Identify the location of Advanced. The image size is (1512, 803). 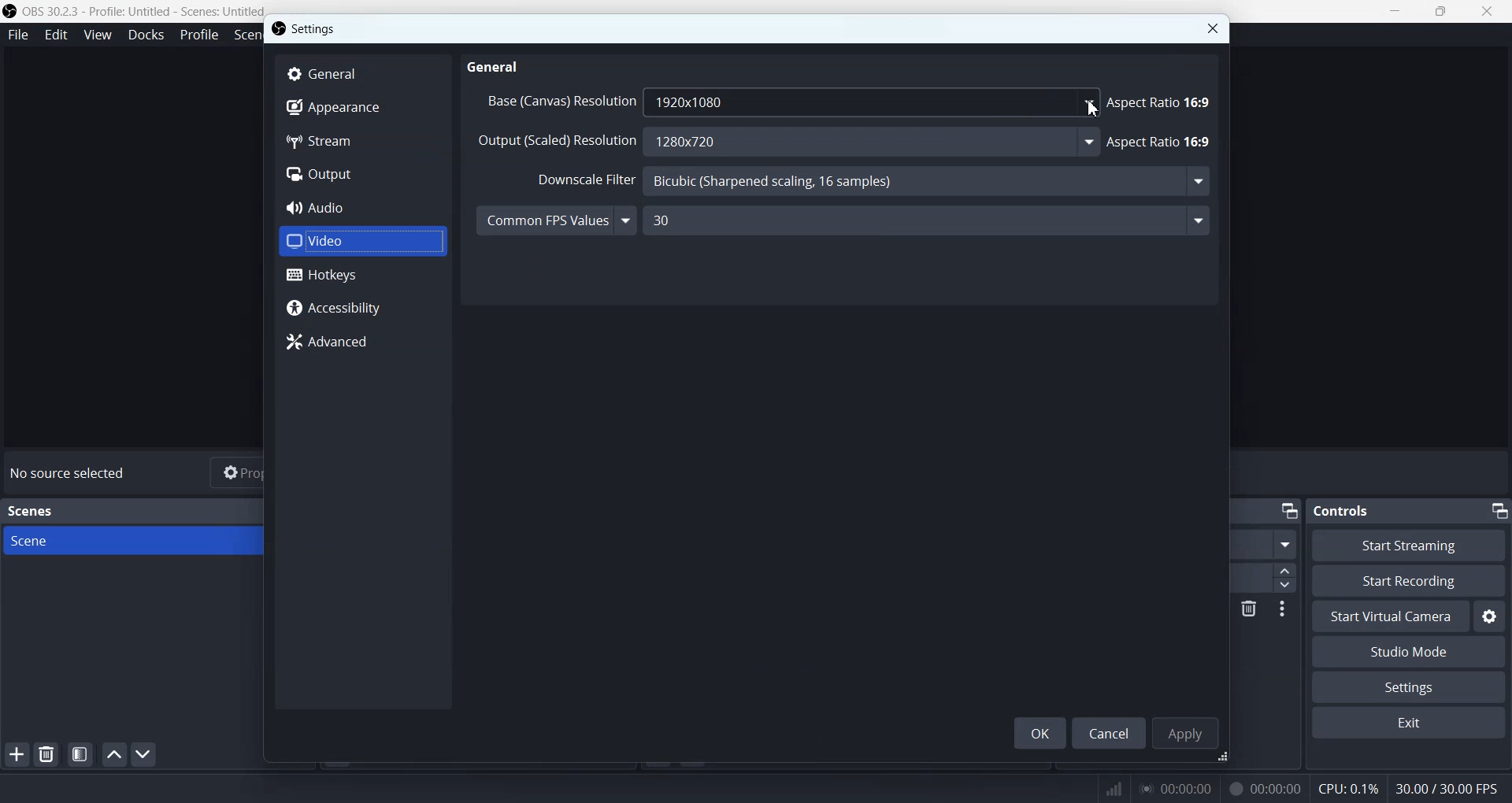
(364, 343).